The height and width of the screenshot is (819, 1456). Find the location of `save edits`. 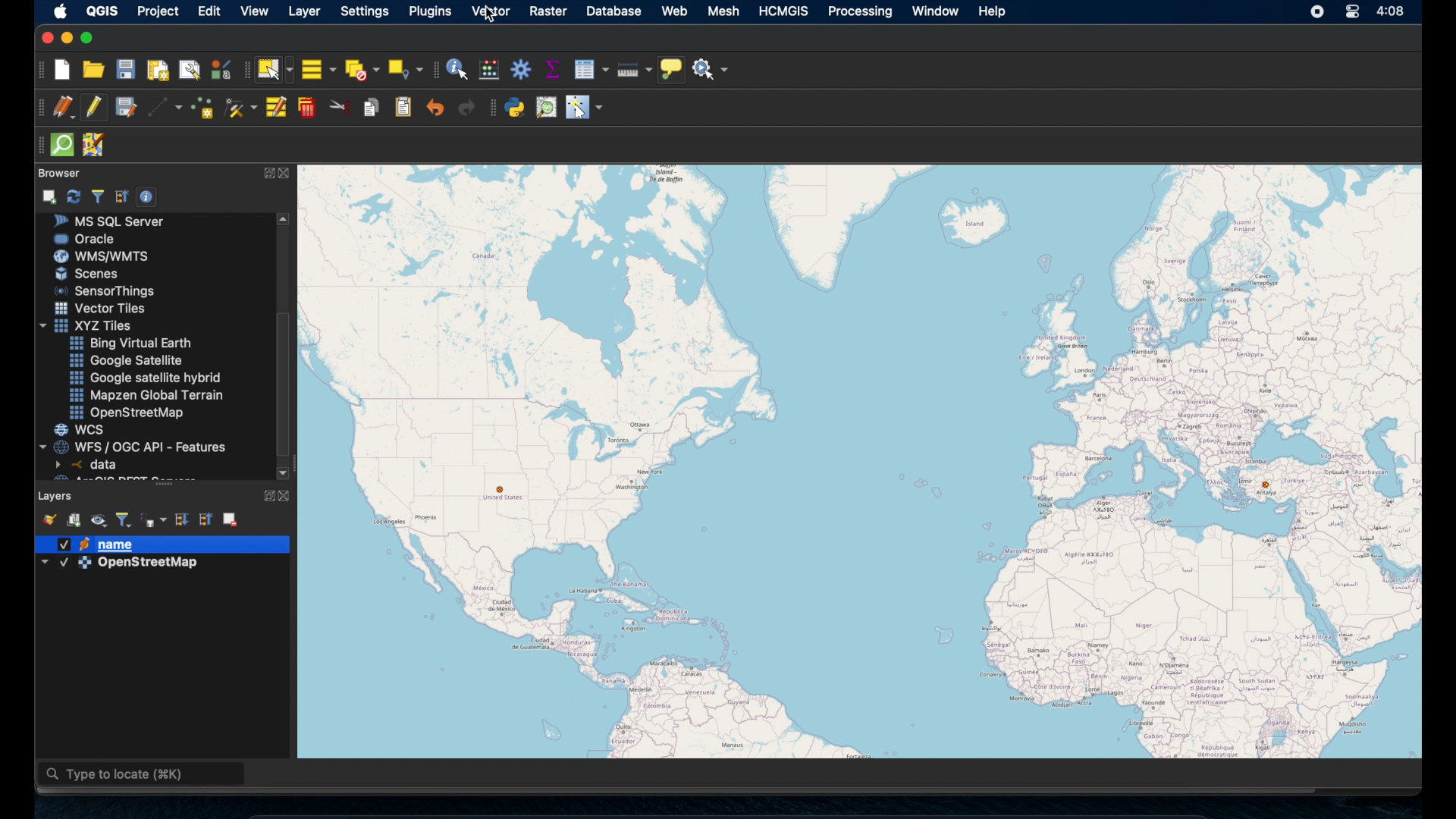

save edits is located at coordinates (127, 108).